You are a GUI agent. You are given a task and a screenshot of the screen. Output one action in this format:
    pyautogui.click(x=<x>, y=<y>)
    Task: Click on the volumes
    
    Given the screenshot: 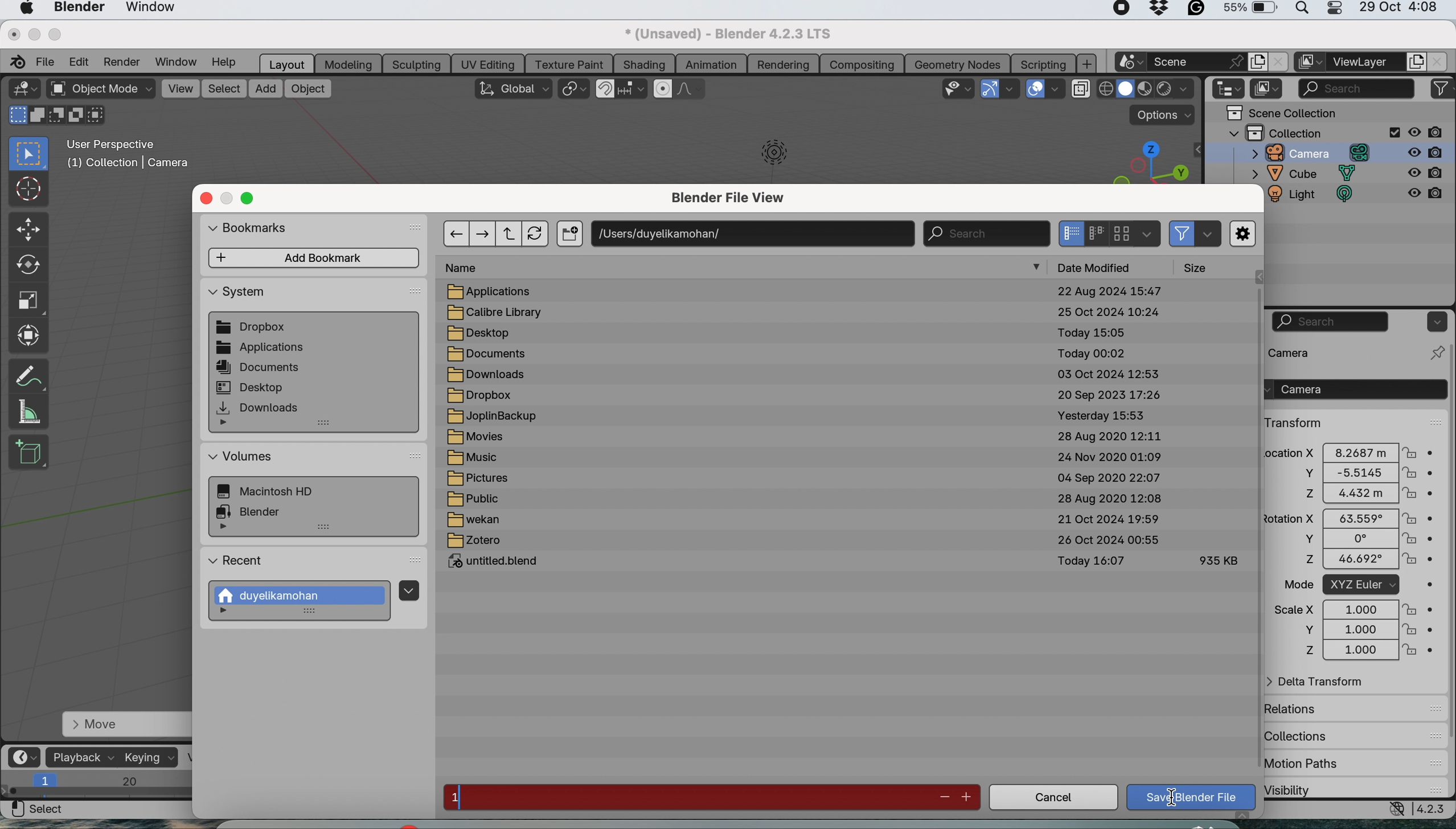 What is the action you would take?
    pyautogui.click(x=242, y=457)
    